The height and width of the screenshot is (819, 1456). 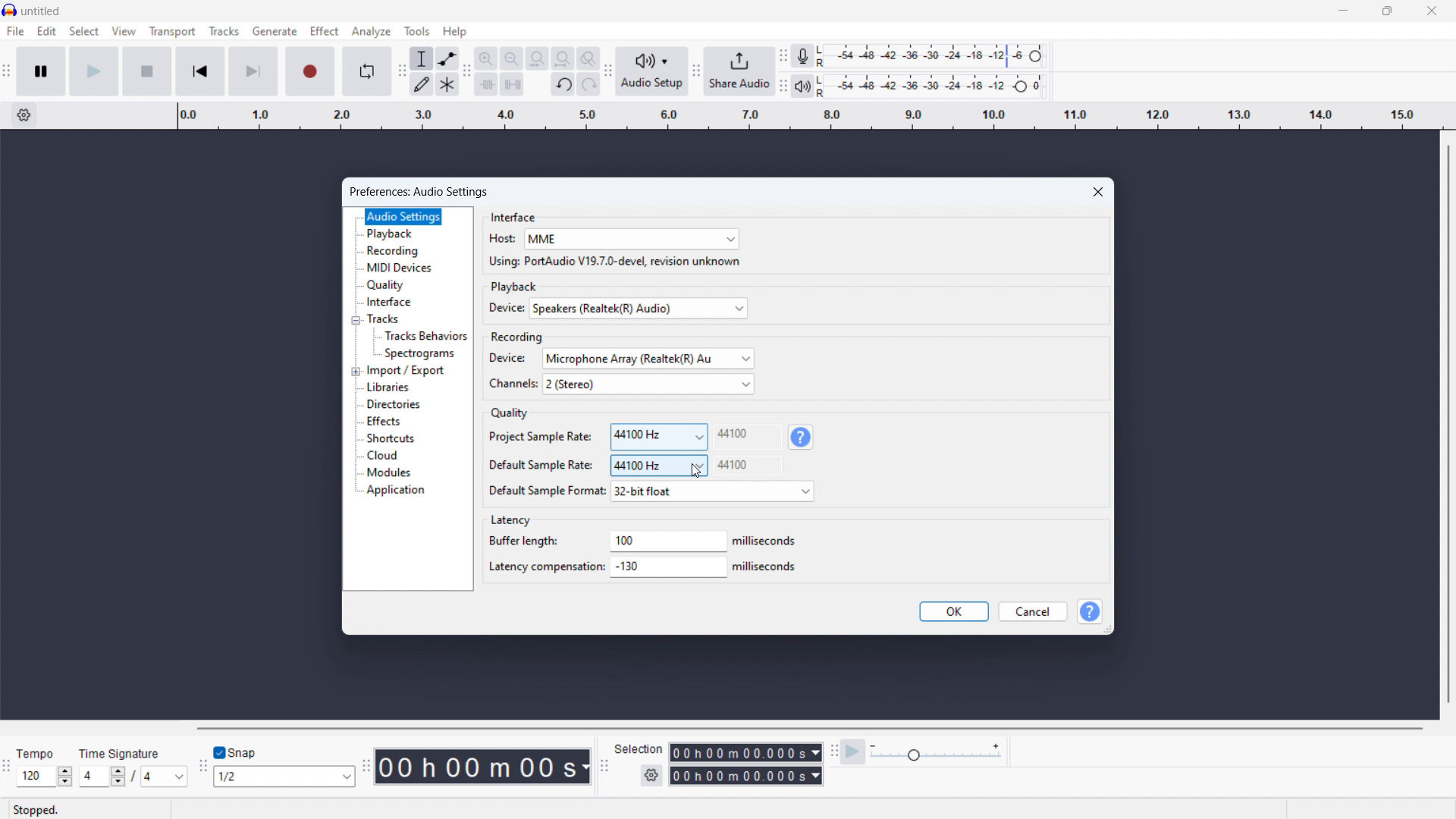 What do you see at coordinates (368, 71) in the screenshot?
I see `enable loop` at bounding box center [368, 71].